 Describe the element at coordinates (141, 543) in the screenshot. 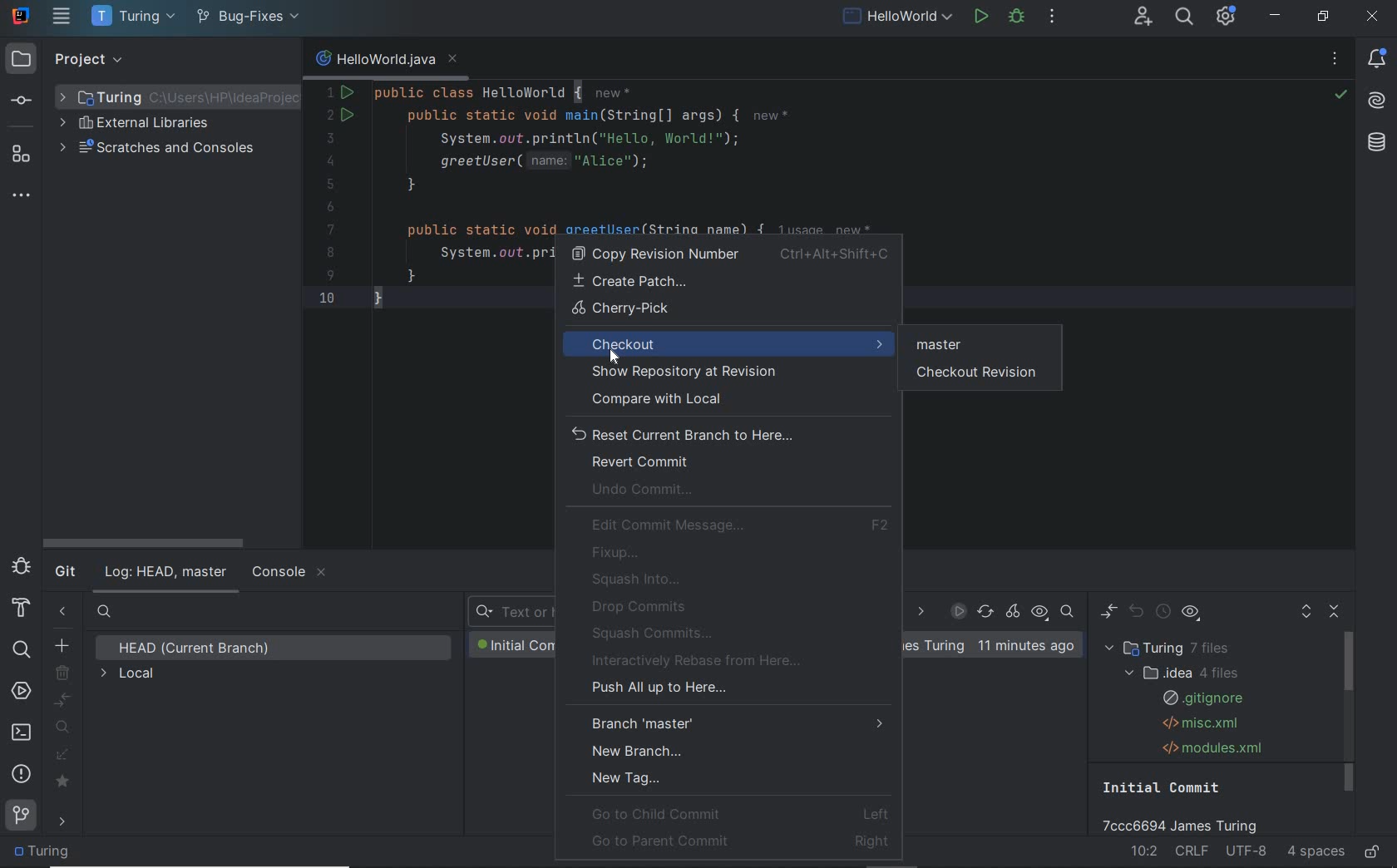

I see `scrollbar` at that location.